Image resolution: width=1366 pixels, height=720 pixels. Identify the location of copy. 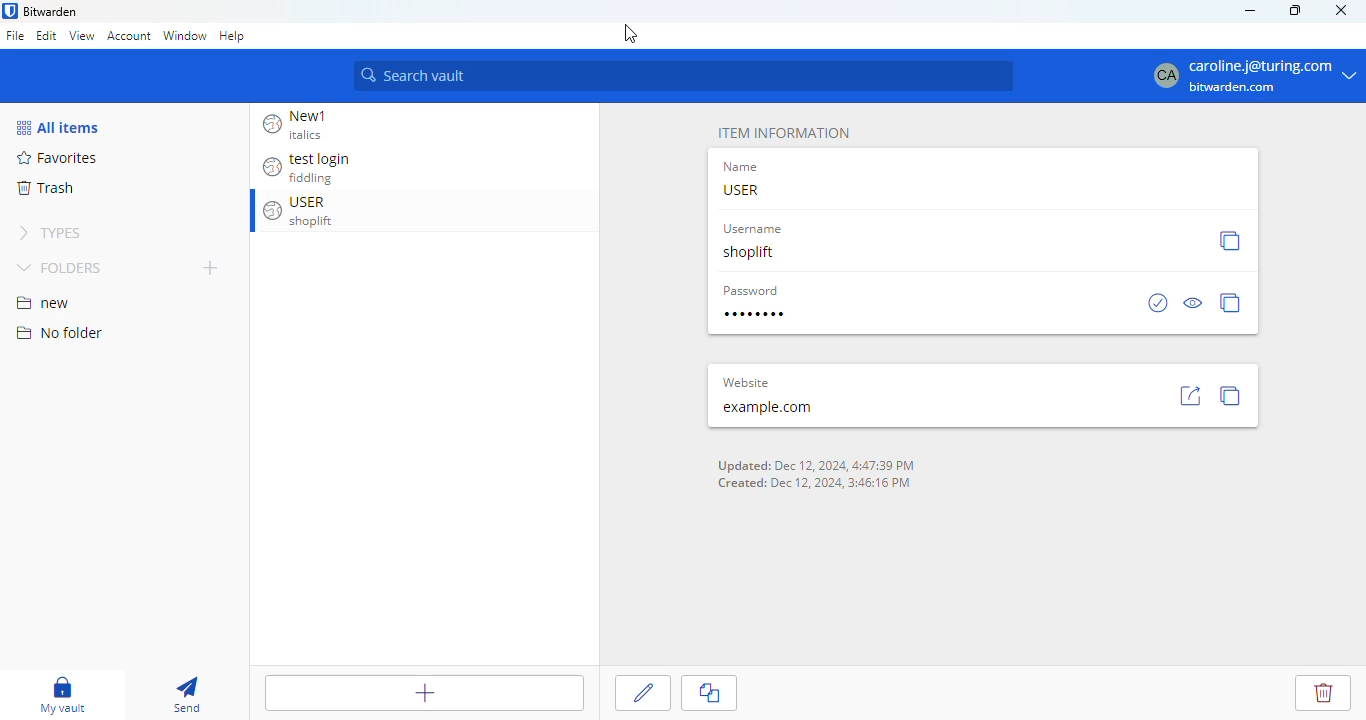
(1233, 303).